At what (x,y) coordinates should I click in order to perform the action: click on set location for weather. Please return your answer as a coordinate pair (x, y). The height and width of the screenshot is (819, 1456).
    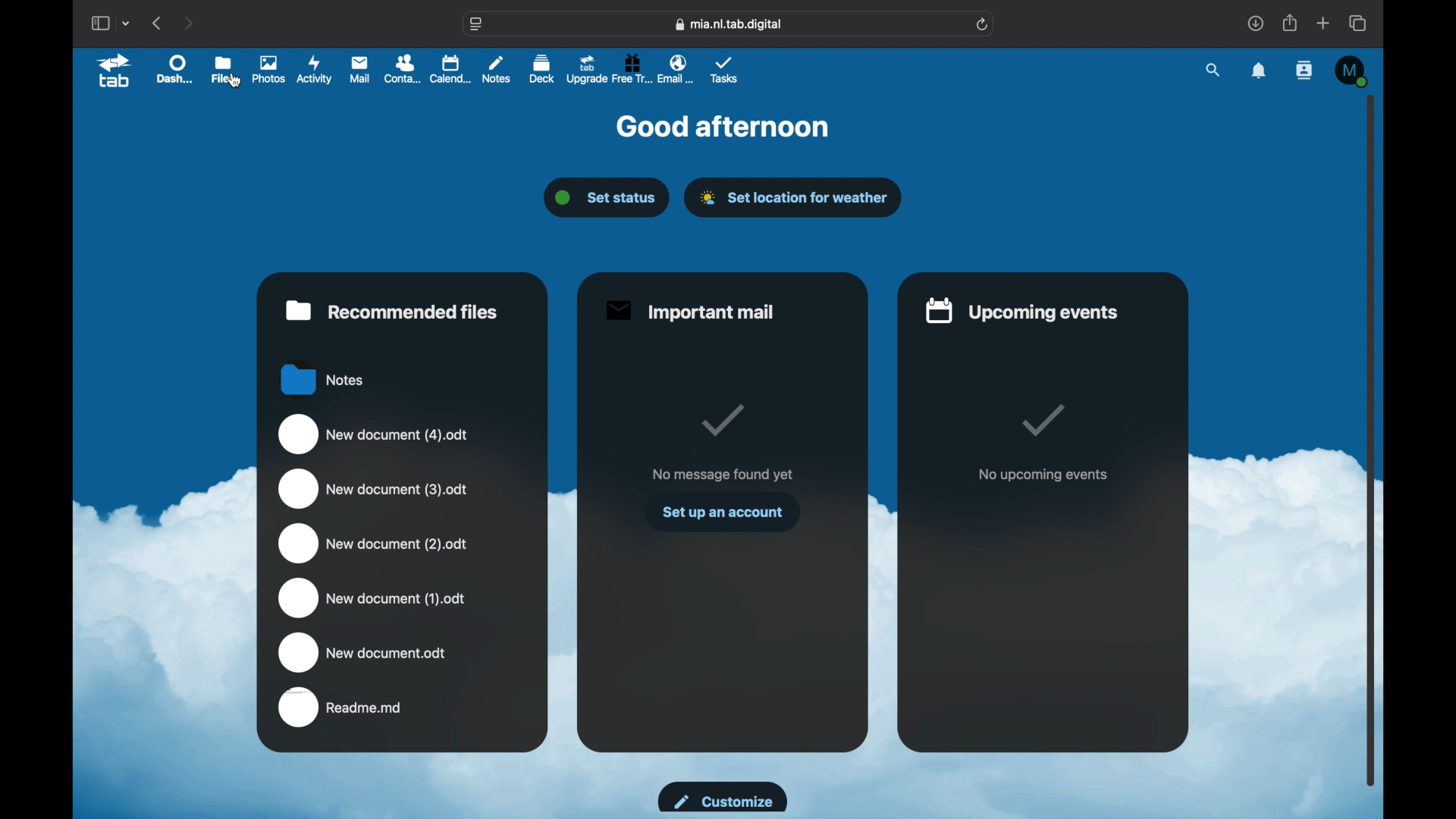
    Looking at the image, I should click on (795, 198).